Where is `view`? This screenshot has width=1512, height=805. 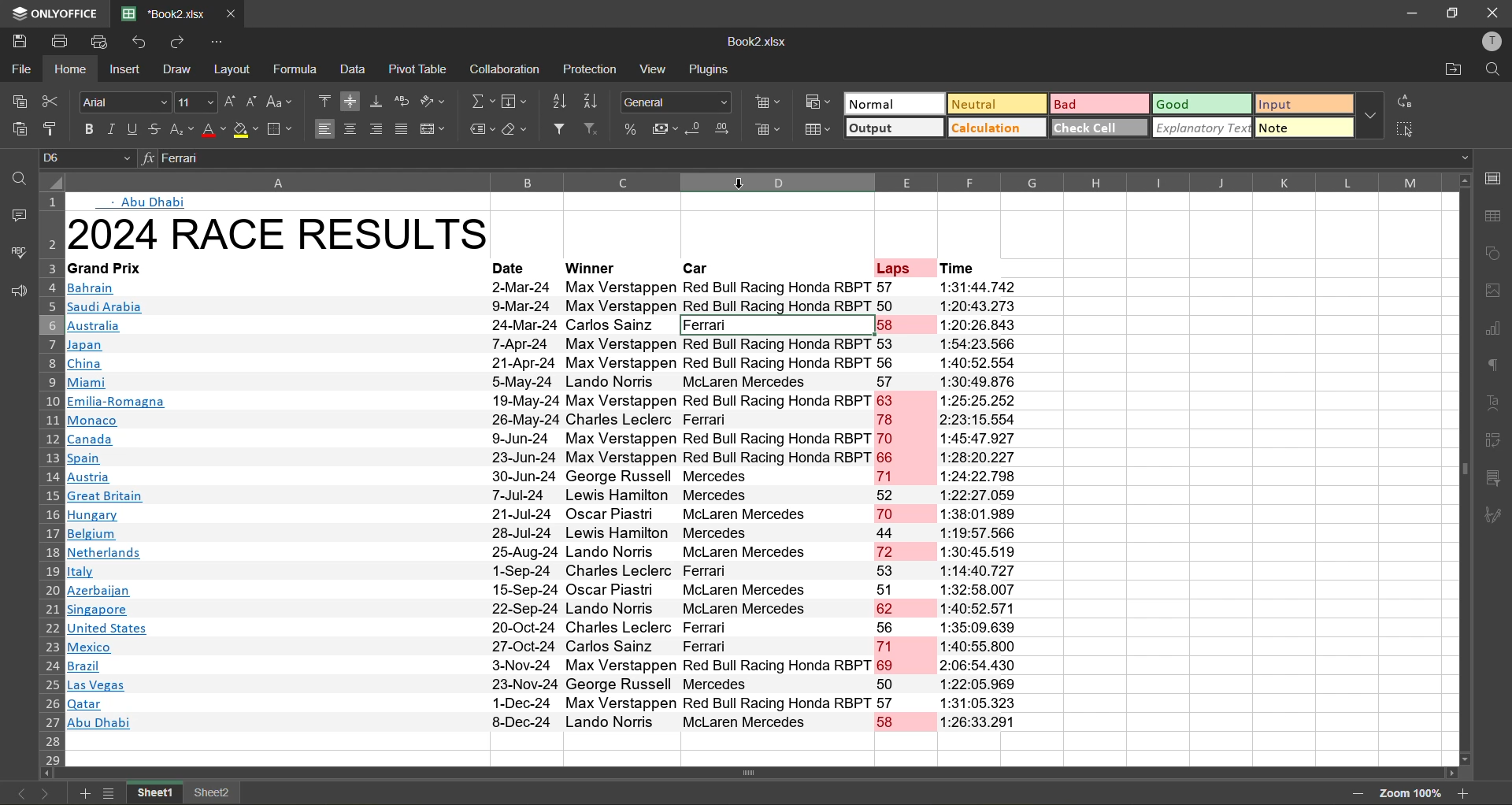 view is located at coordinates (653, 69).